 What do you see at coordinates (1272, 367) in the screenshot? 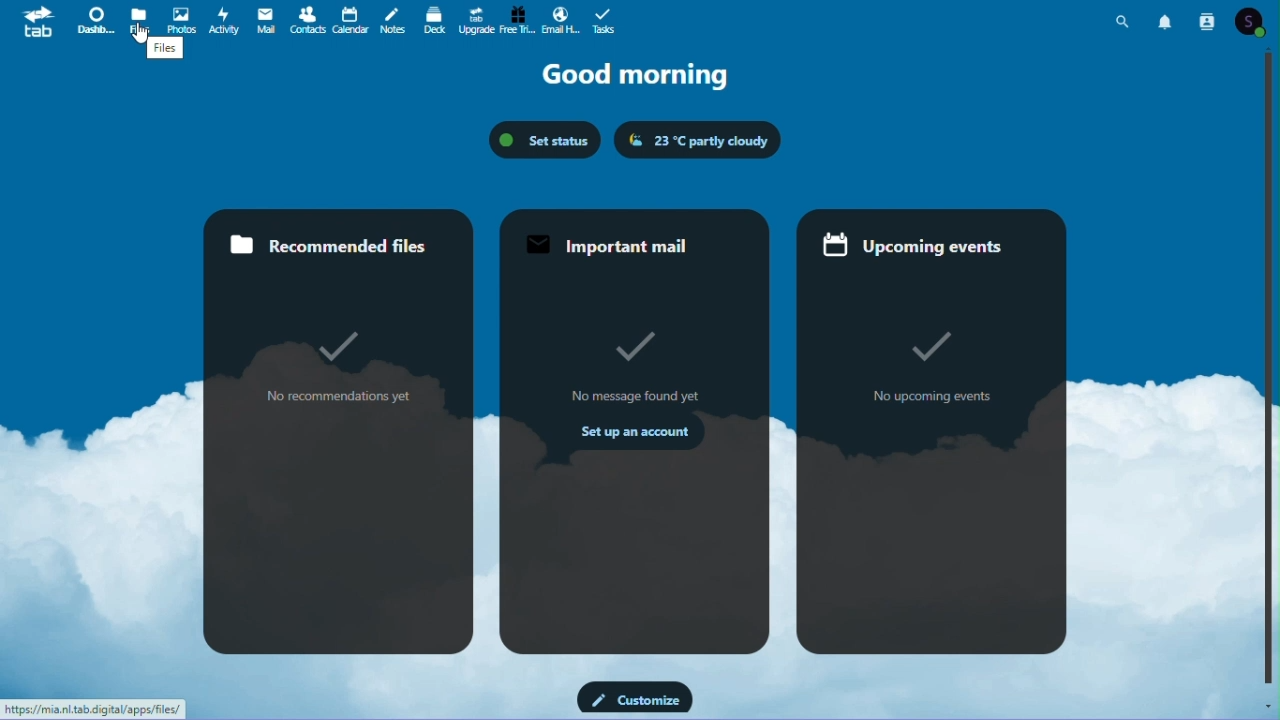
I see `Vertical scroll bar` at bounding box center [1272, 367].